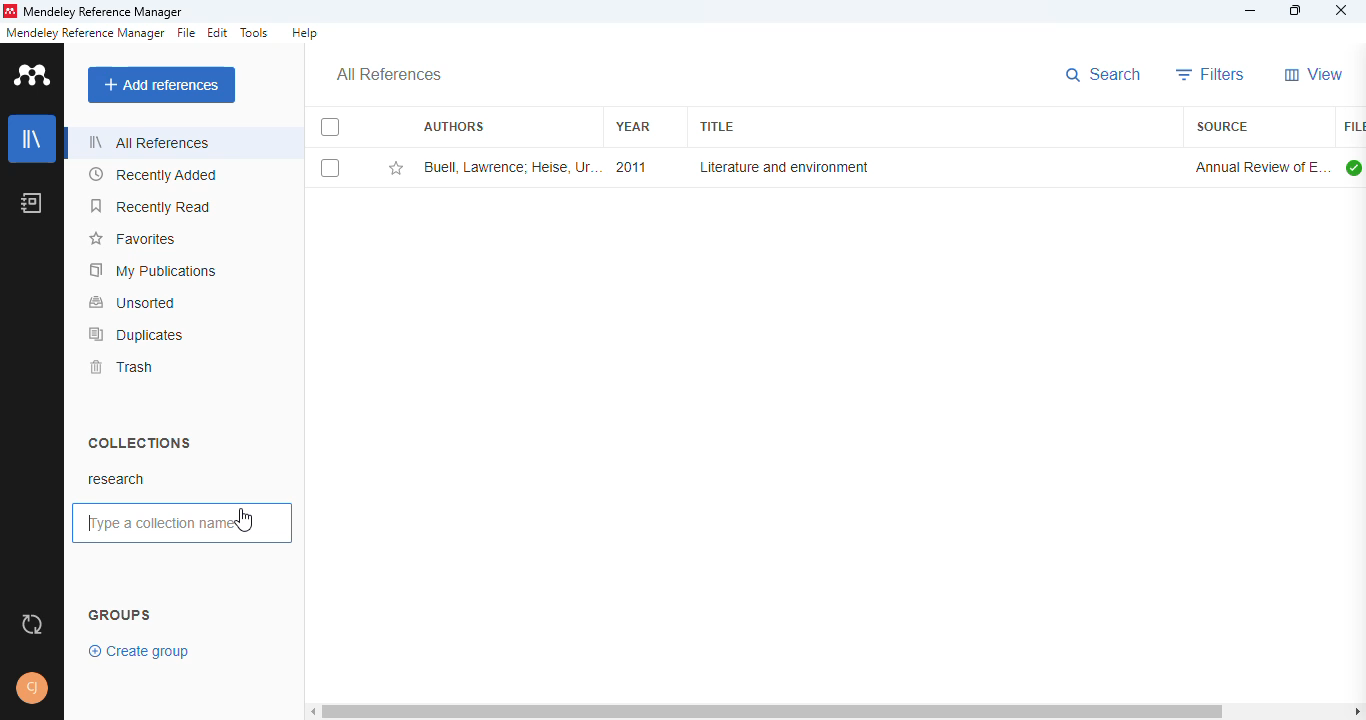  Describe the element at coordinates (31, 139) in the screenshot. I see `library` at that location.